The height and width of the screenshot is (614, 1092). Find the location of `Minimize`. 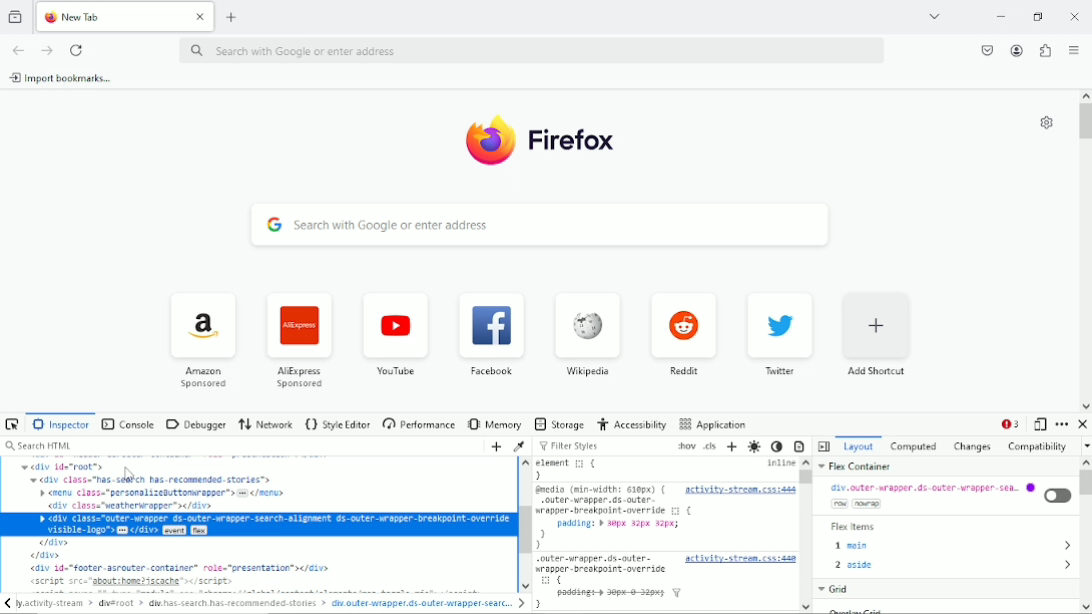

Minimize is located at coordinates (999, 15).